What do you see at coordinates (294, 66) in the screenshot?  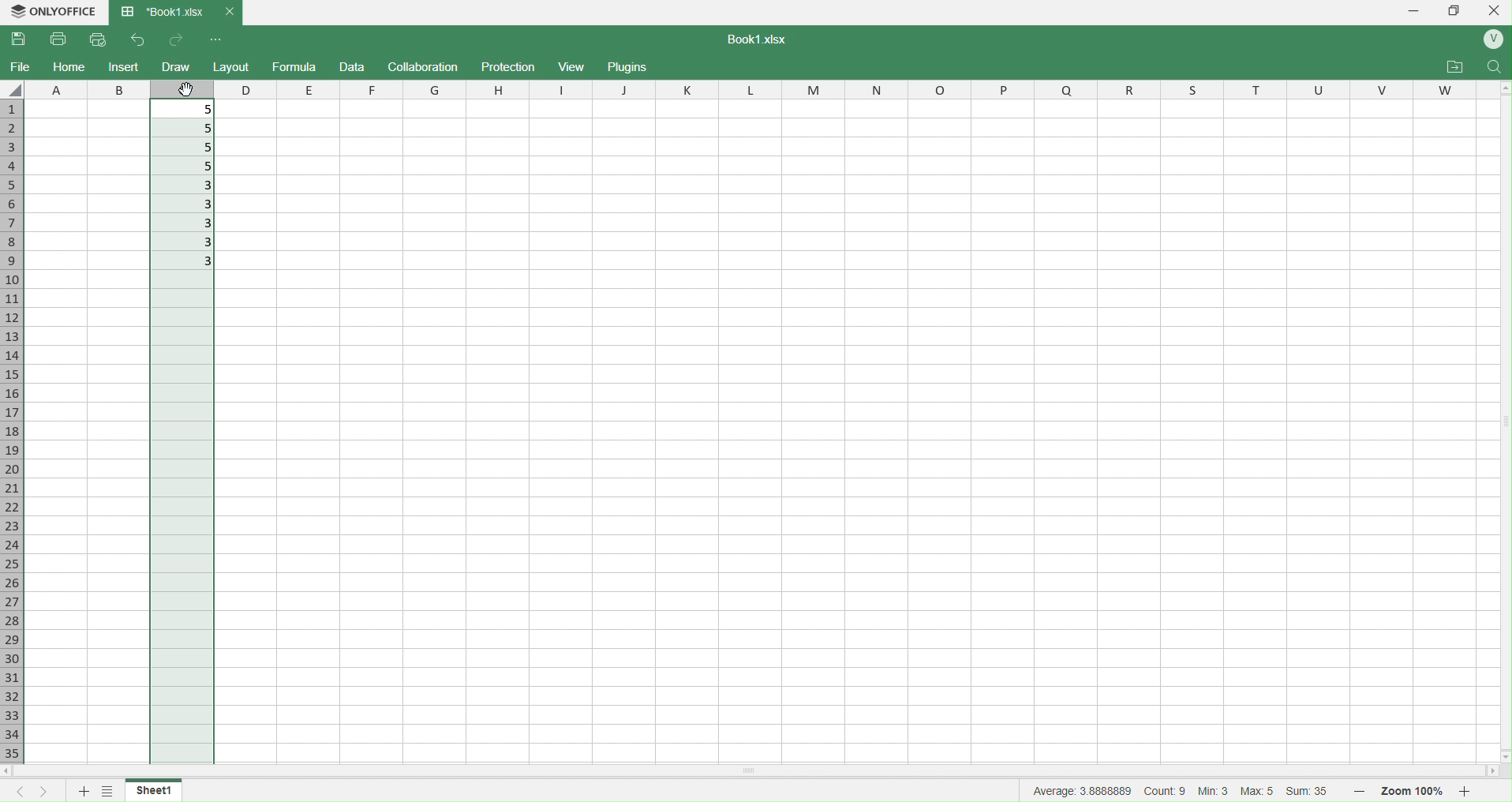 I see `Formula` at bounding box center [294, 66].